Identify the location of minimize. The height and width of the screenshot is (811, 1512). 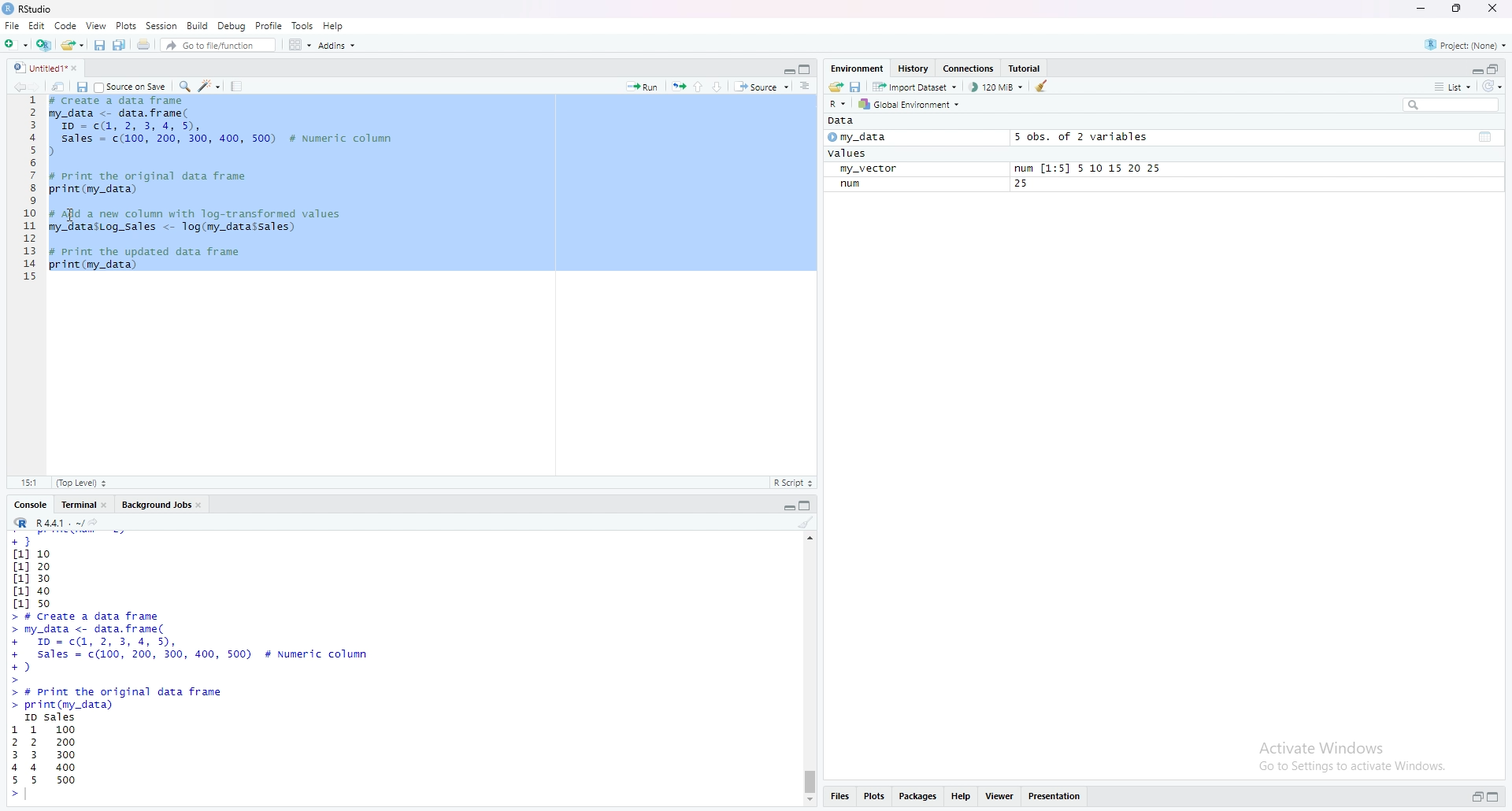
(1474, 69).